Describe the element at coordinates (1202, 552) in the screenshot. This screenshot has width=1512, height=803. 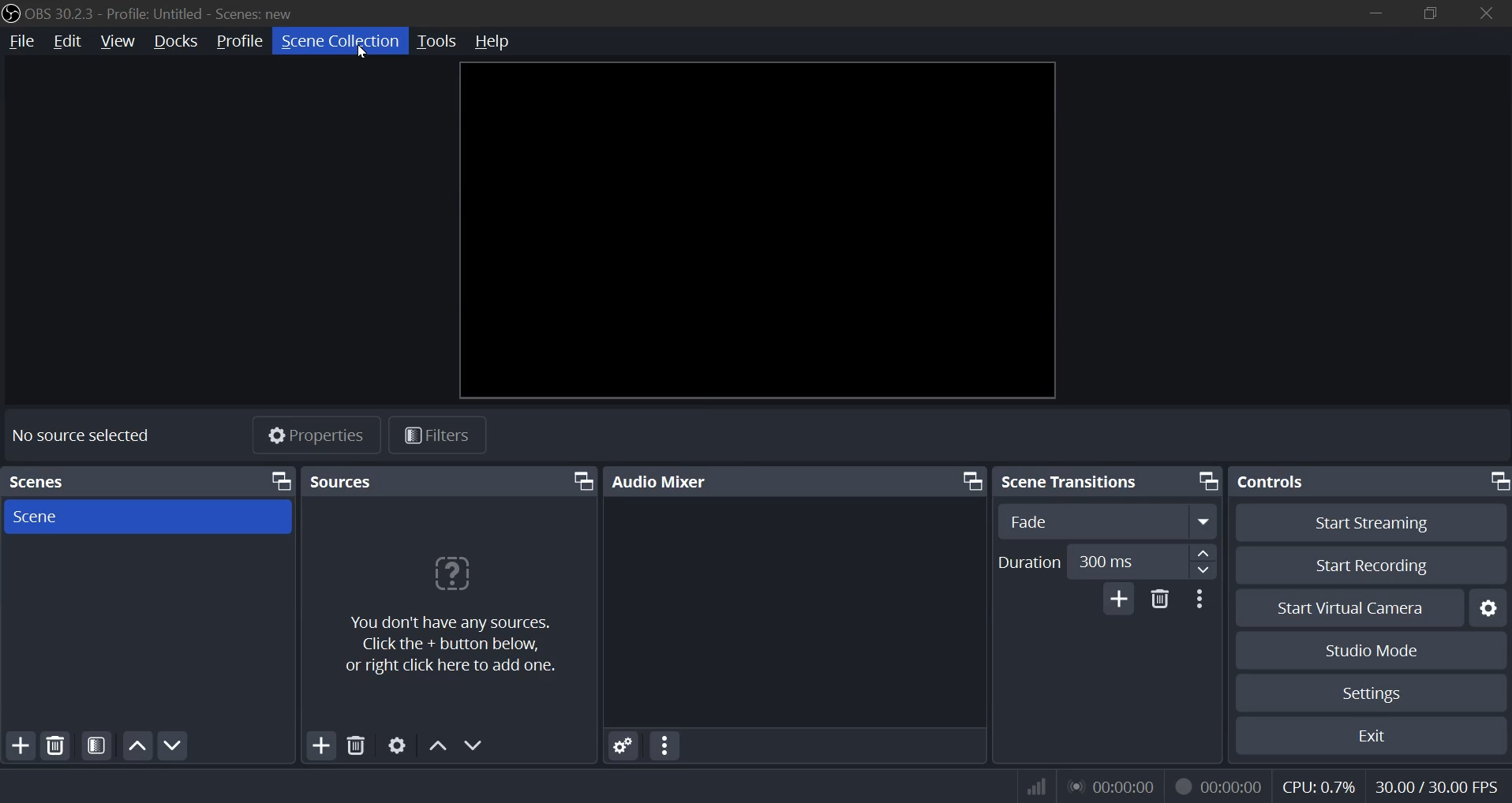
I see `up` at that location.